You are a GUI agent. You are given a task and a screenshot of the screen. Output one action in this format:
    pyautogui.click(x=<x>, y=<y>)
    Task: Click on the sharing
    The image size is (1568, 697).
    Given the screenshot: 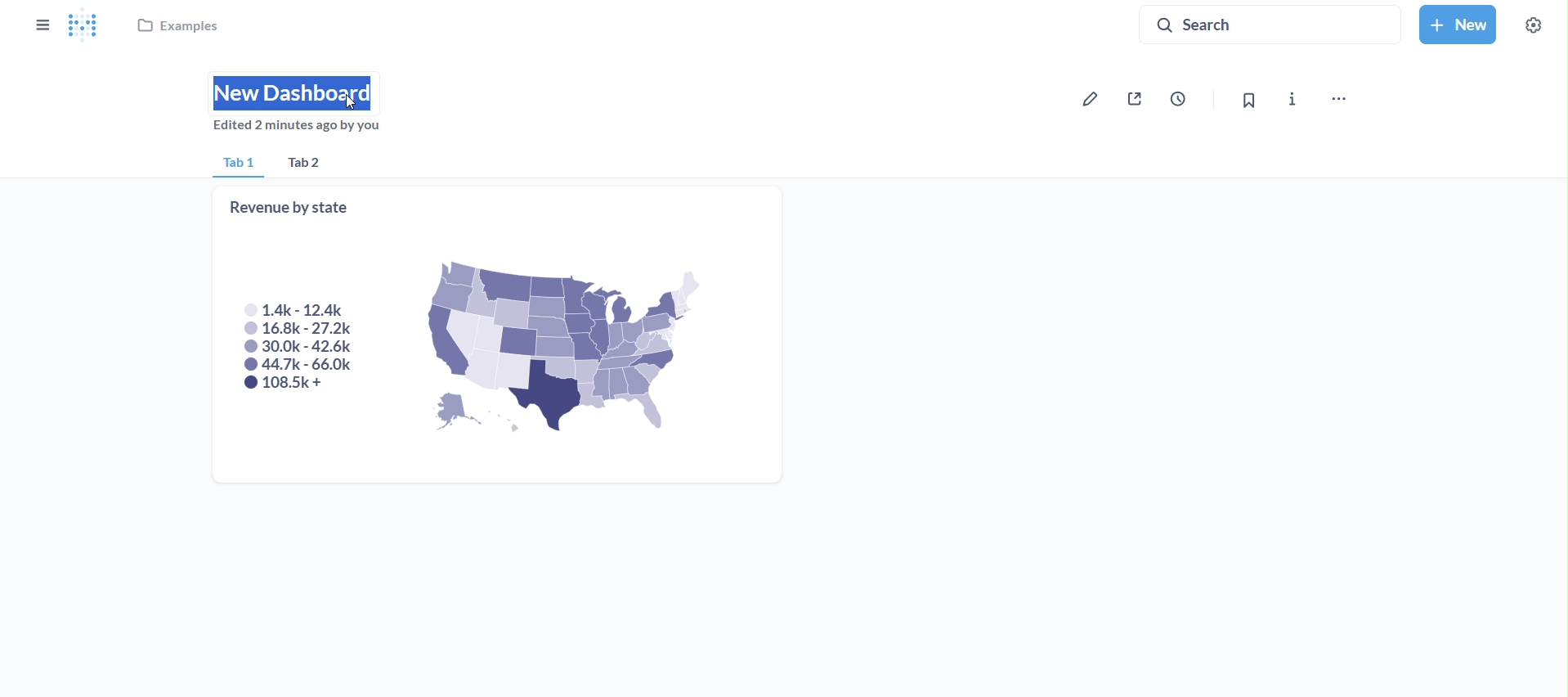 What is the action you would take?
    pyautogui.click(x=1139, y=99)
    